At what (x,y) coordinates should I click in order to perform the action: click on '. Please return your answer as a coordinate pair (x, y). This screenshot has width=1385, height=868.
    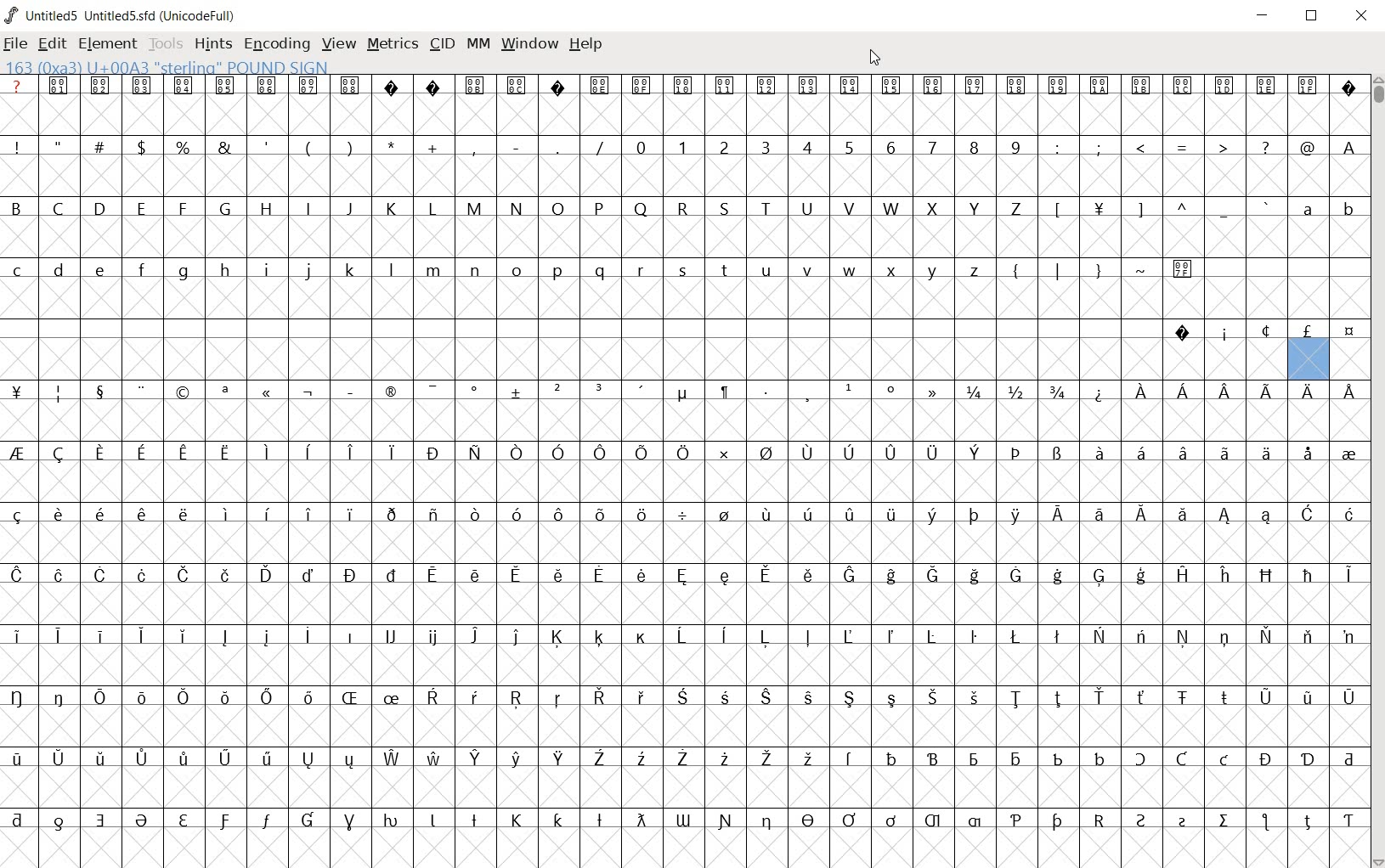
    Looking at the image, I should click on (268, 148).